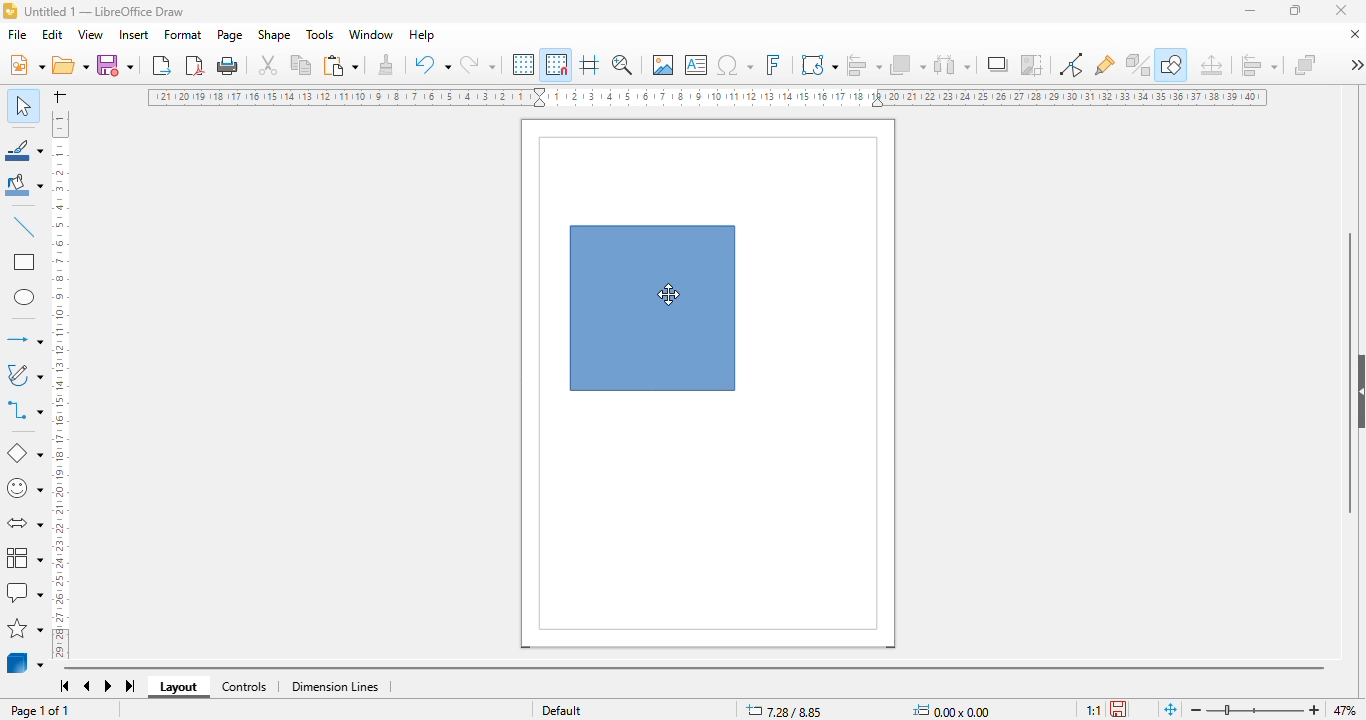 The width and height of the screenshot is (1366, 720). What do you see at coordinates (114, 64) in the screenshot?
I see `save` at bounding box center [114, 64].